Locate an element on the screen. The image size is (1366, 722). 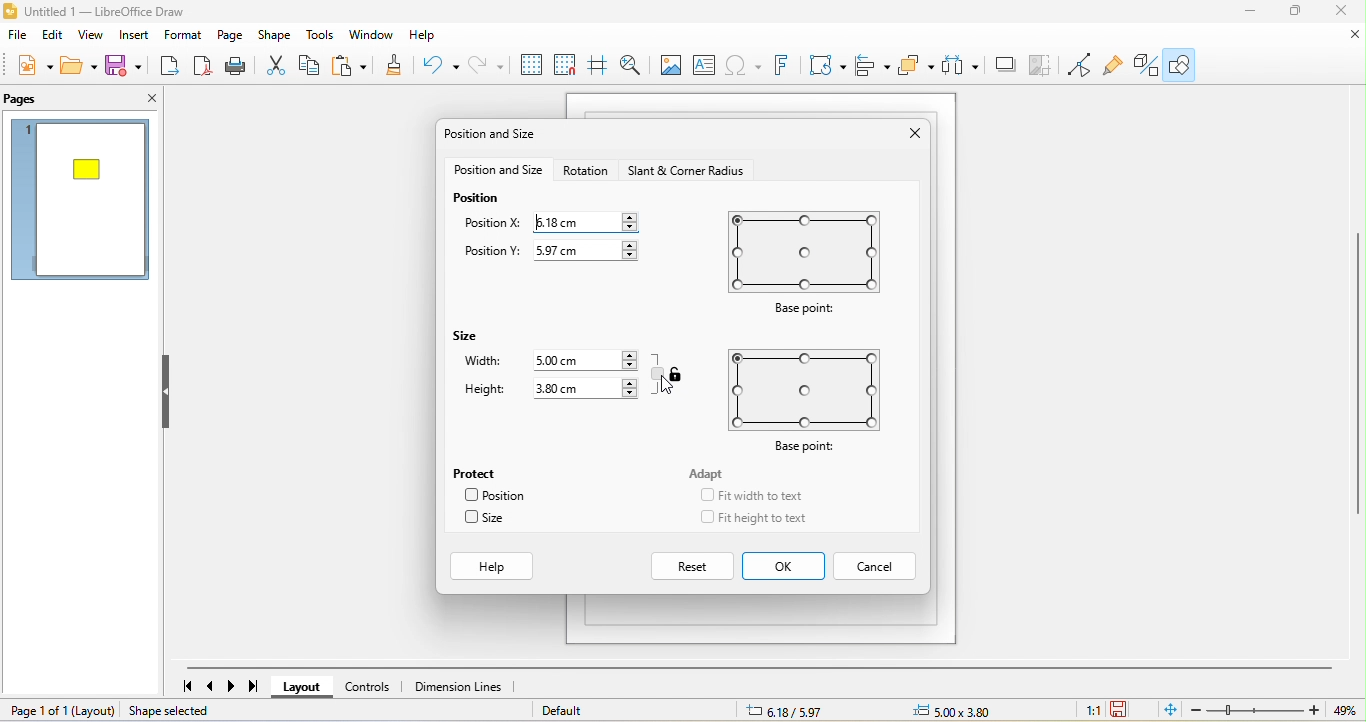
paste is located at coordinates (353, 64).